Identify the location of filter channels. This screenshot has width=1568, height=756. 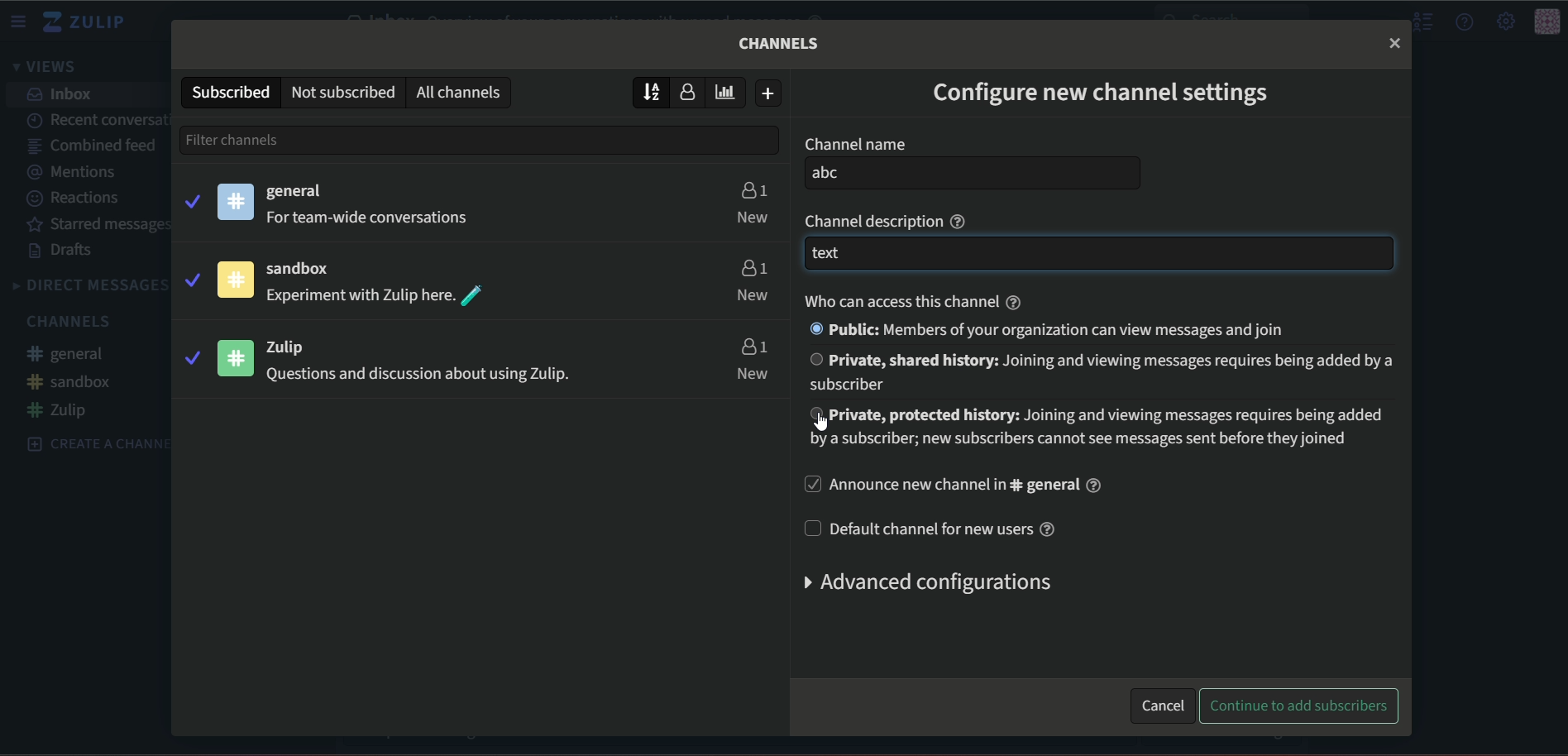
(265, 139).